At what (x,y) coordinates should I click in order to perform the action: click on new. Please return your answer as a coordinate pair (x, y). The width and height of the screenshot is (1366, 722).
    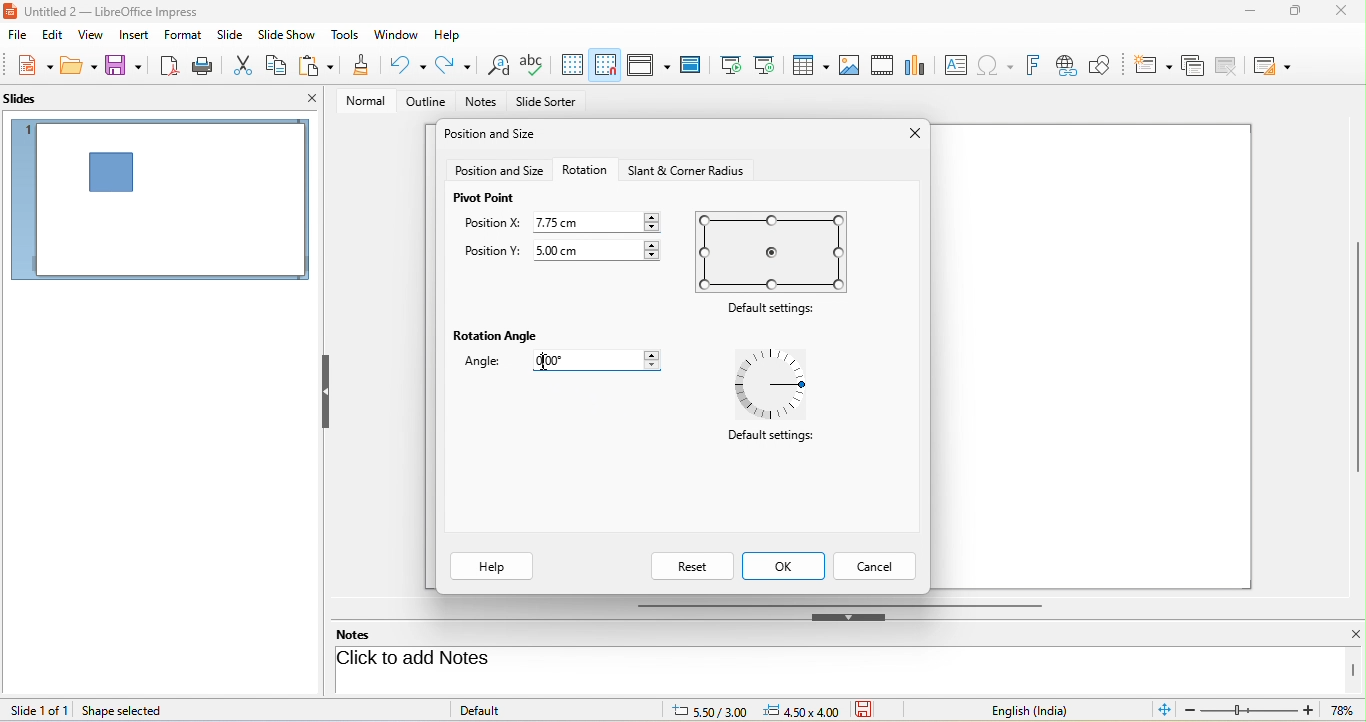
    Looking at the image, I should click on (28, 67).